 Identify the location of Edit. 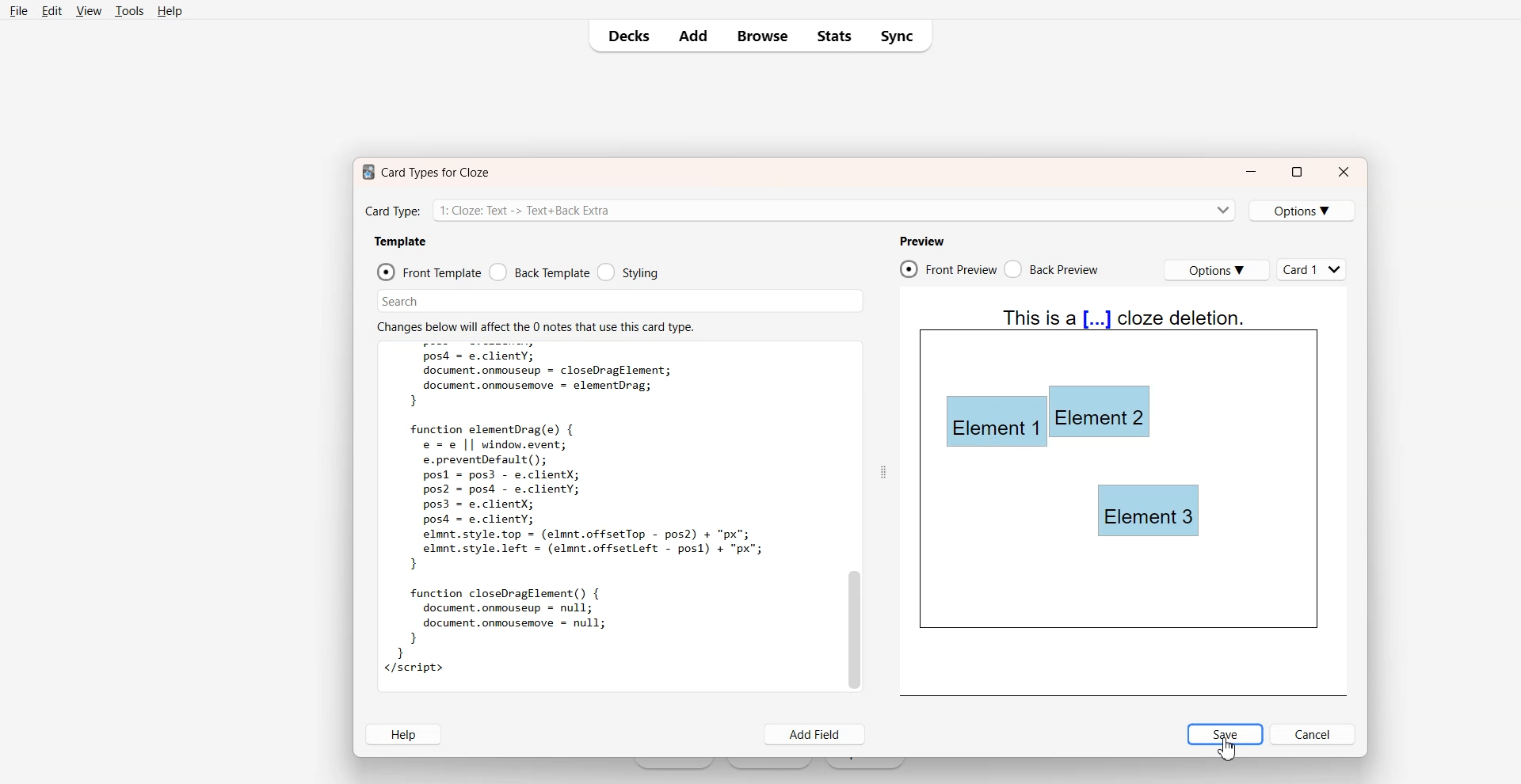
(51, 10).